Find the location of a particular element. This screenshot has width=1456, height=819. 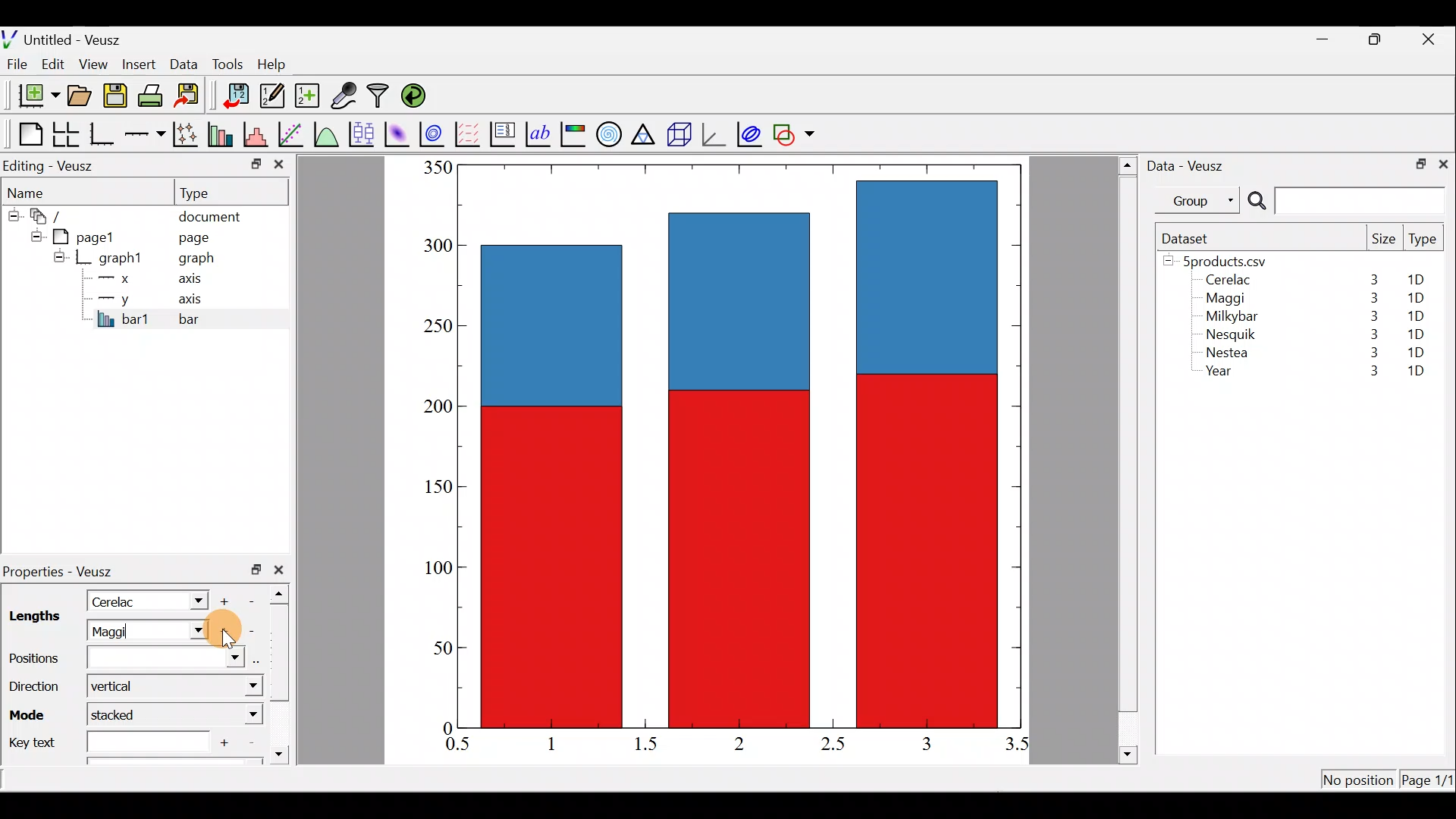

Page 1/11 is located at coordinates (1429, 783).